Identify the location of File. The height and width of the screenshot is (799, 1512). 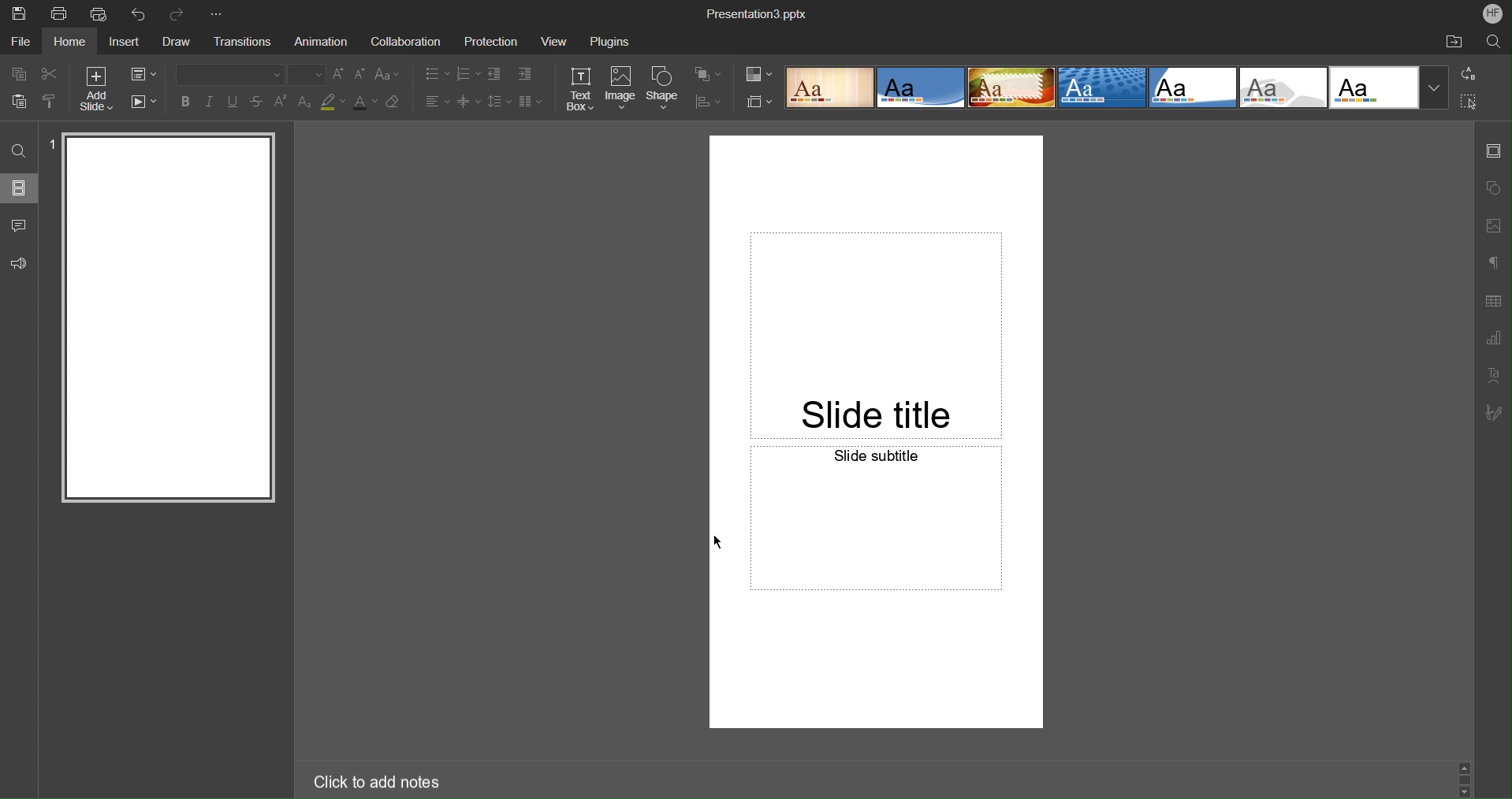
(19, 43).